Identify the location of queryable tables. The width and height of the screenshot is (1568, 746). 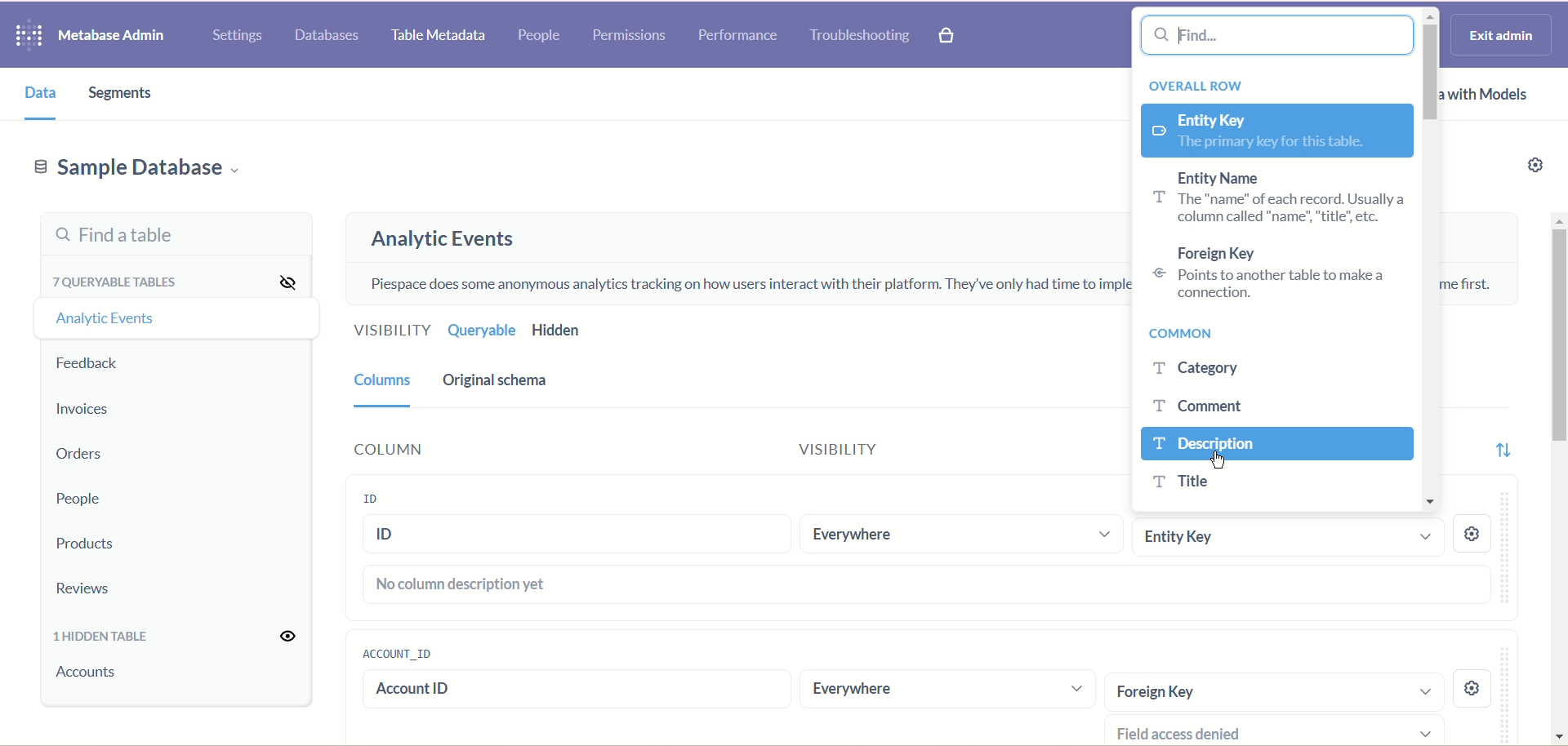
(120, 279).